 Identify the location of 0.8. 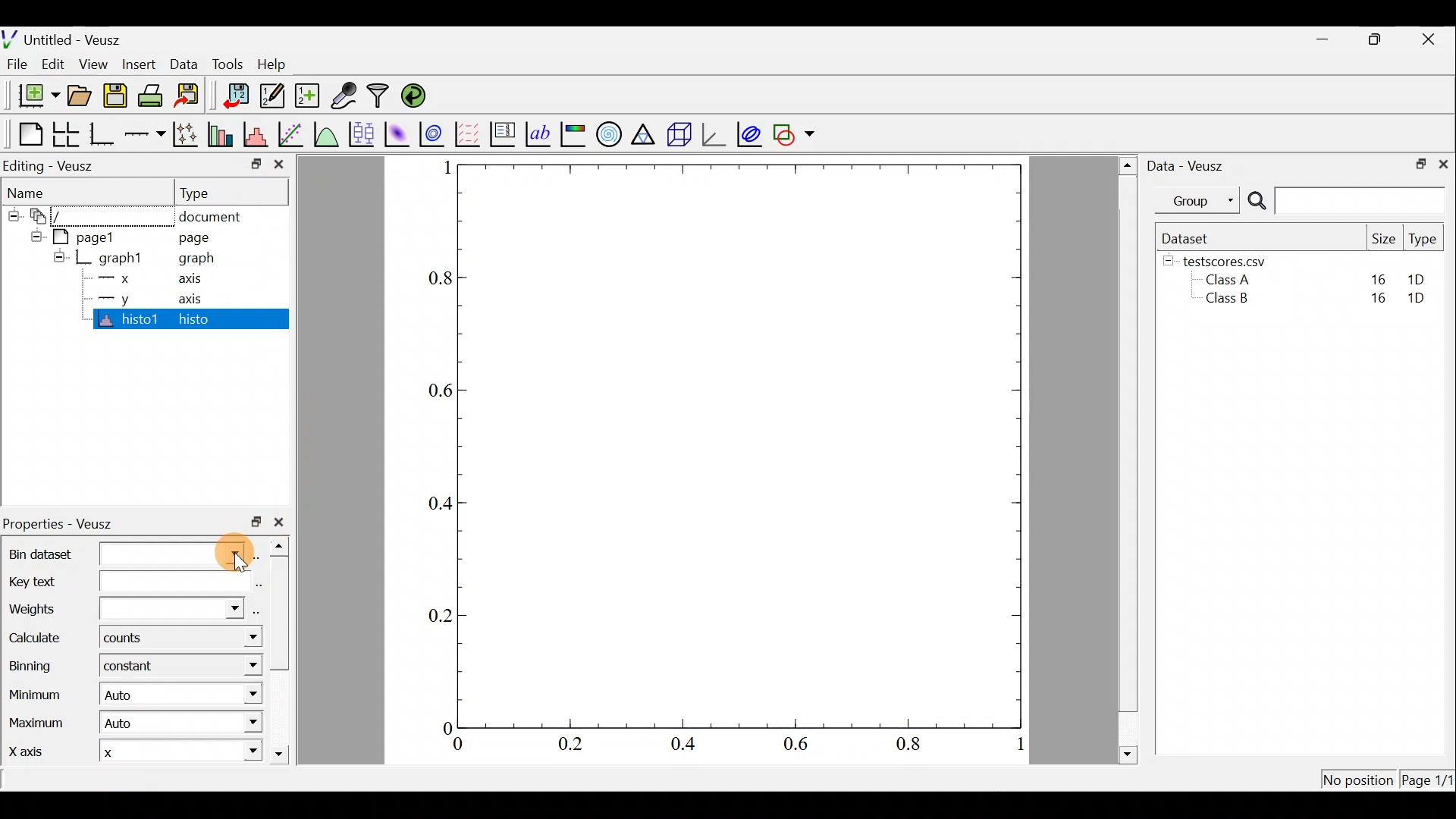
(908, 746).